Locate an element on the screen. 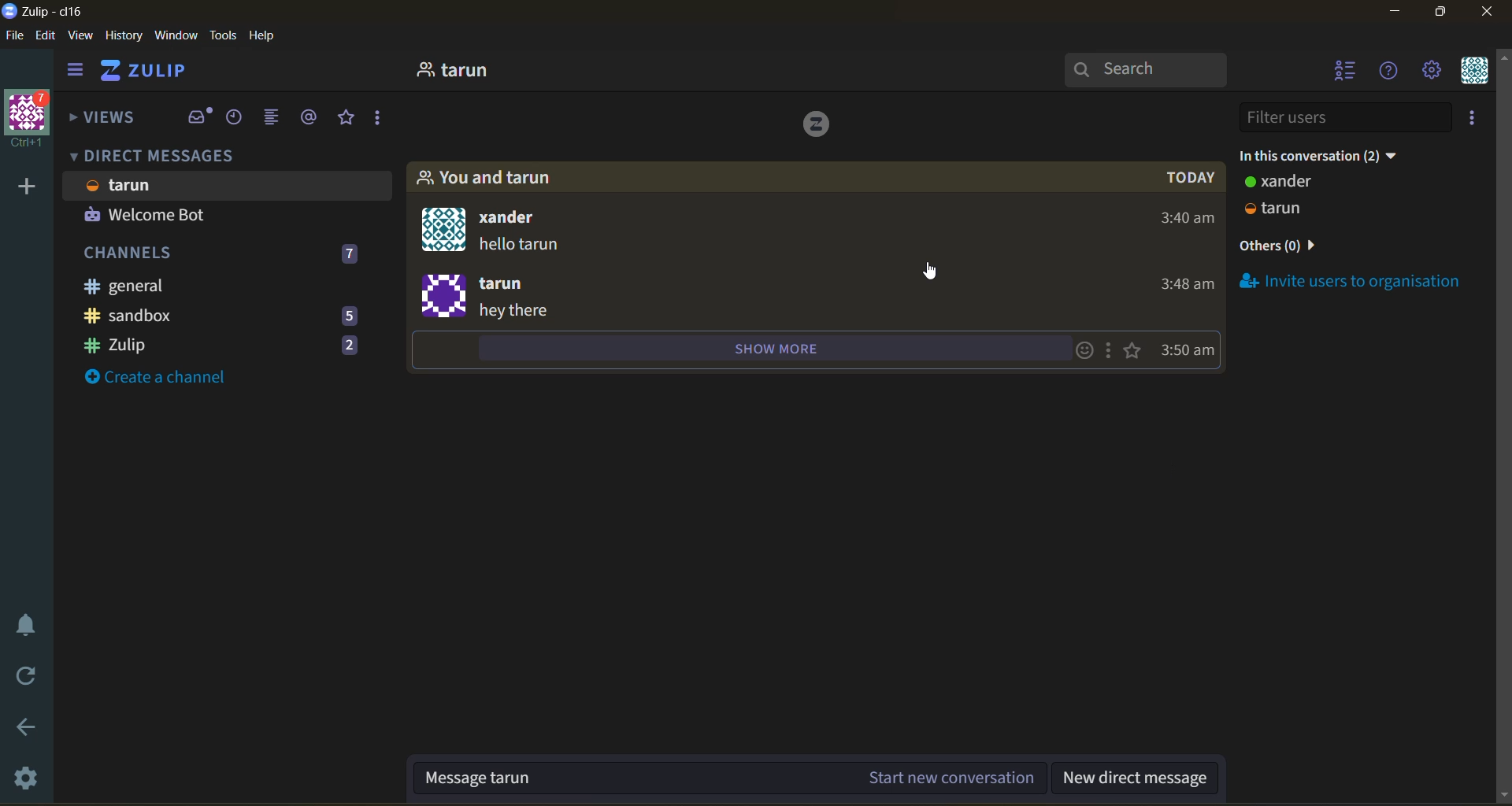 Image resolution: width=1512 pixels, height=806 pixels. cursor is located at coordinates (935, 272).